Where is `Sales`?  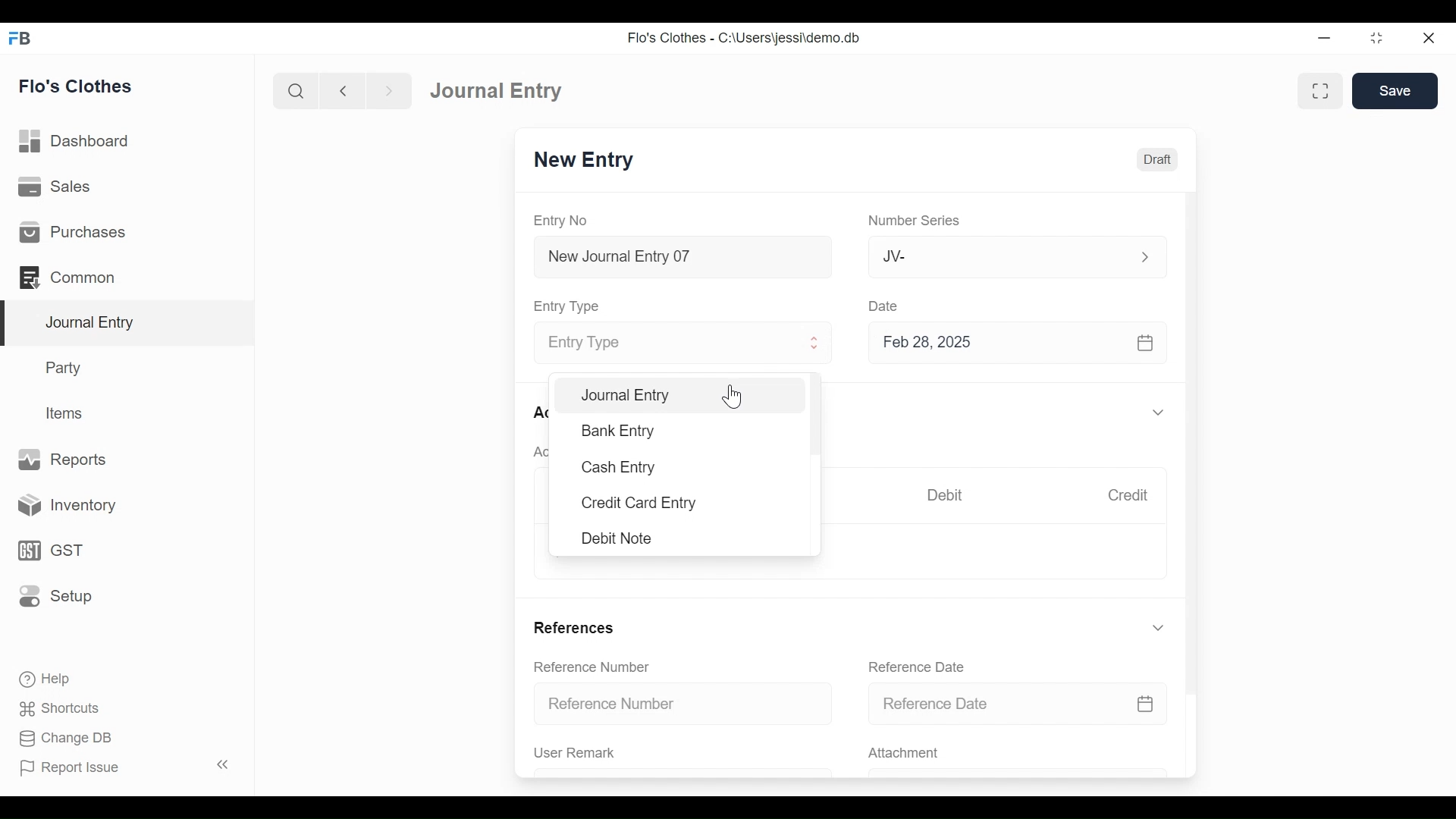 Sales is located at coordinates (57, 186).